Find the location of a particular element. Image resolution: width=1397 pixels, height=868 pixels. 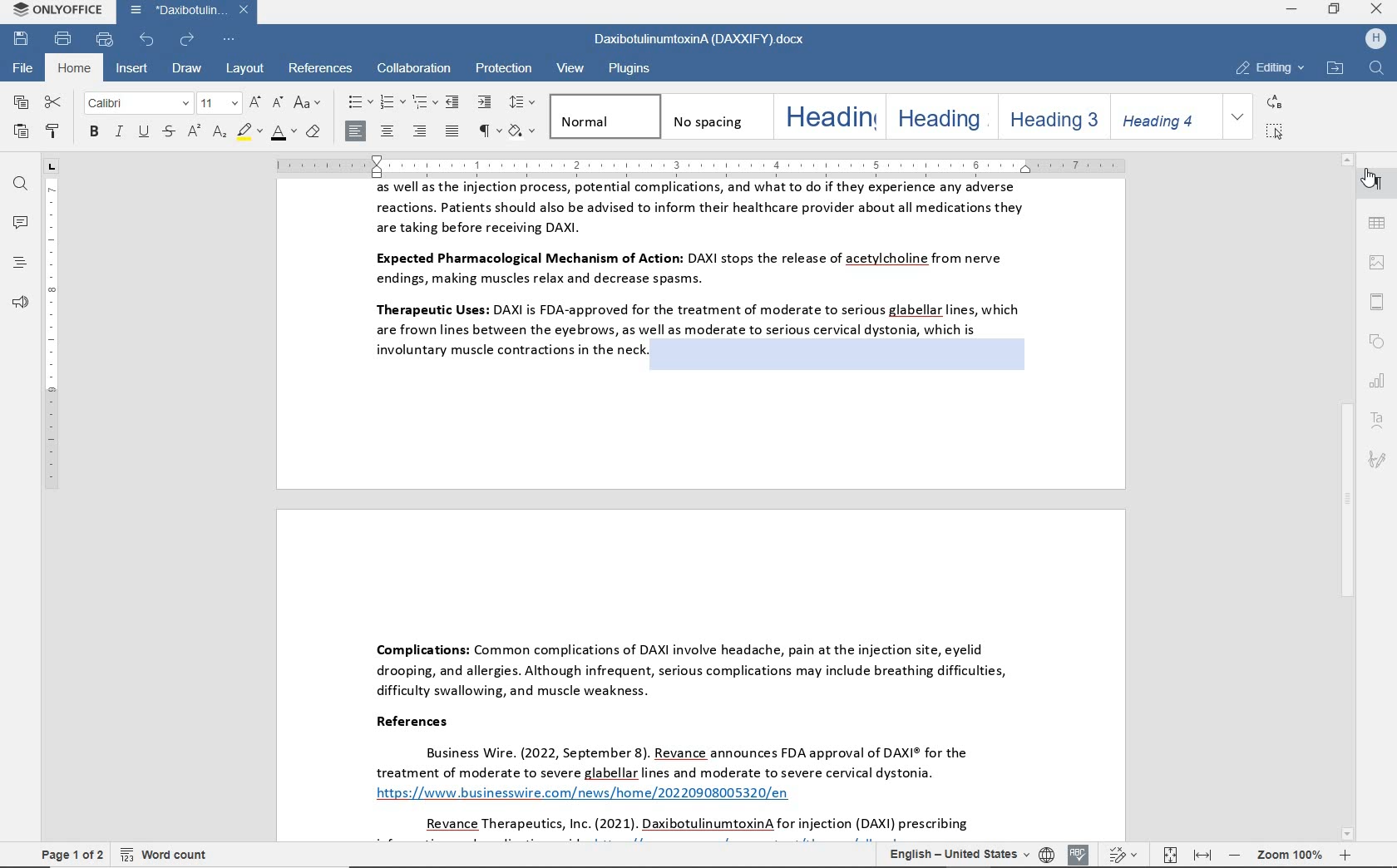

zoom out or zoom in is located at coordinates (1289, 855).